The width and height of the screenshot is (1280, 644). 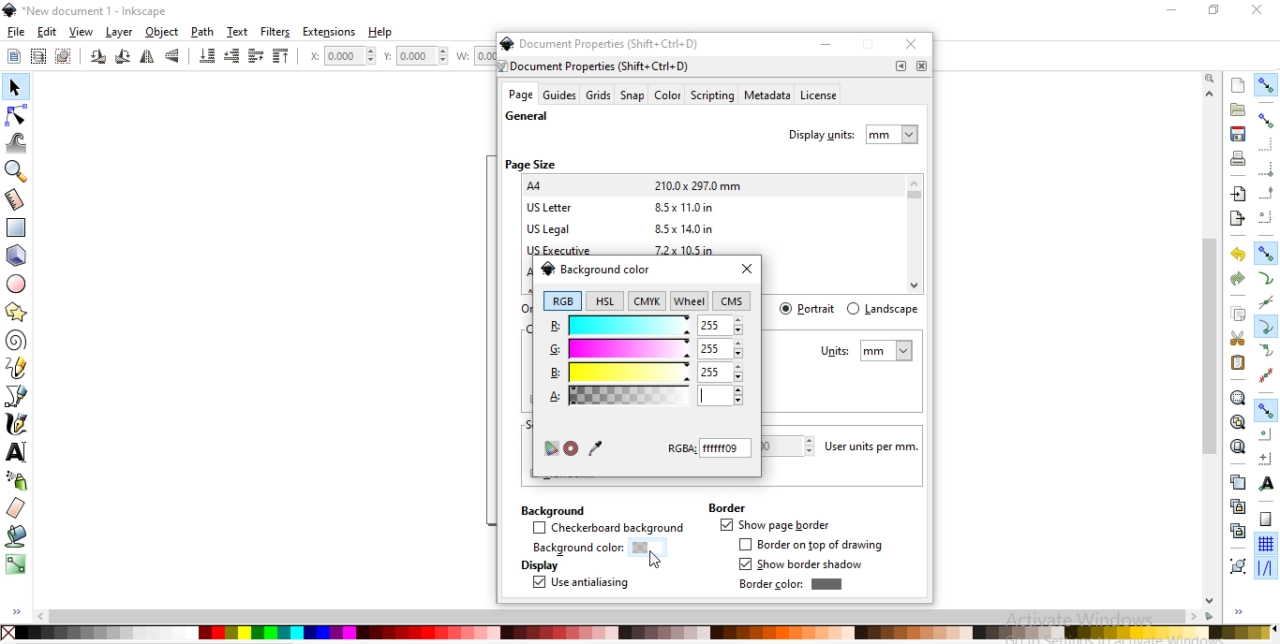 I want to click on text, so click(x=239, y=32).